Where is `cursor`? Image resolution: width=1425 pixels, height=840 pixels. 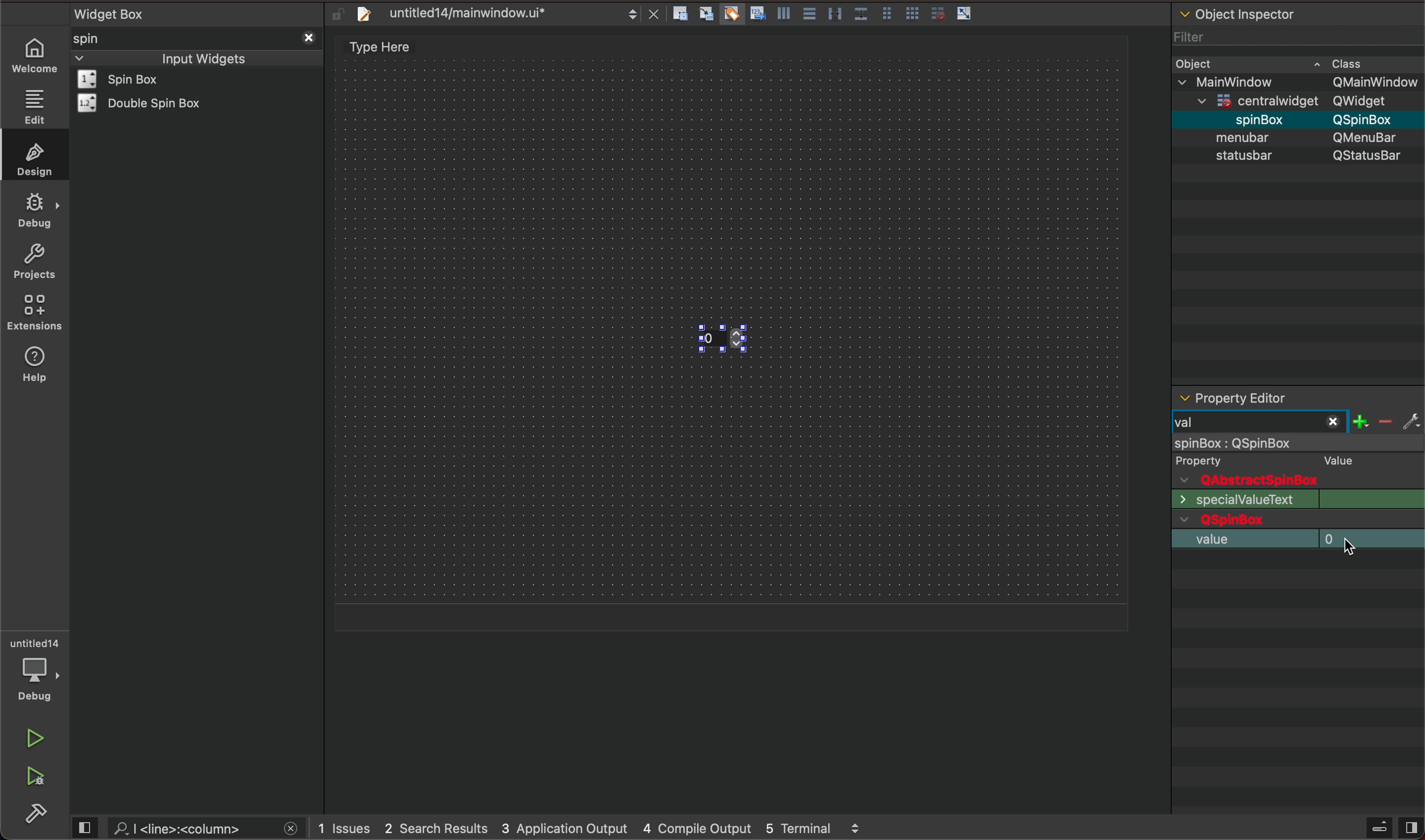
cursor is located at coordinates (1351, 548).